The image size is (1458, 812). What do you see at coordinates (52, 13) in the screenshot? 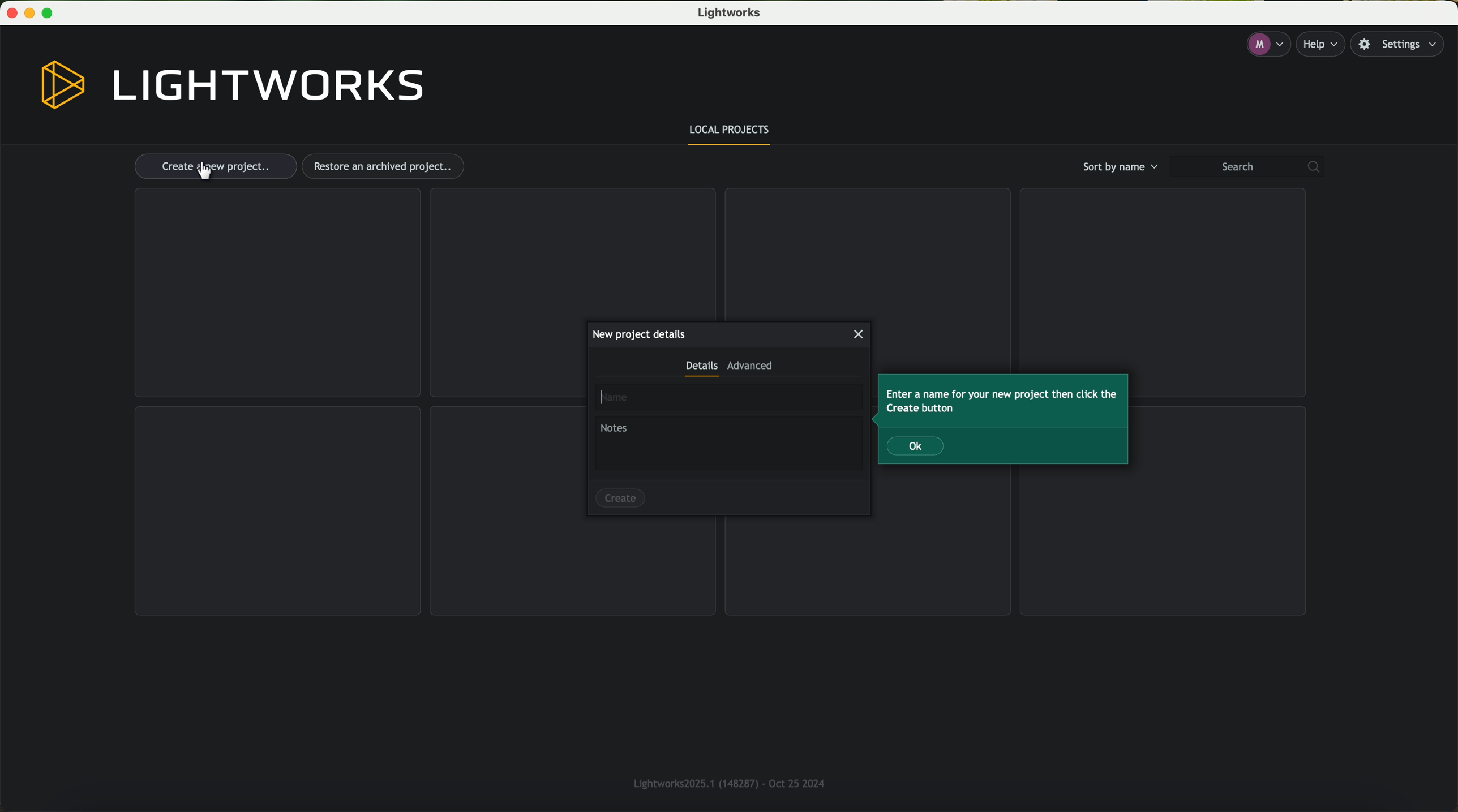
I see `maximize` at bounding box center [52, 13].